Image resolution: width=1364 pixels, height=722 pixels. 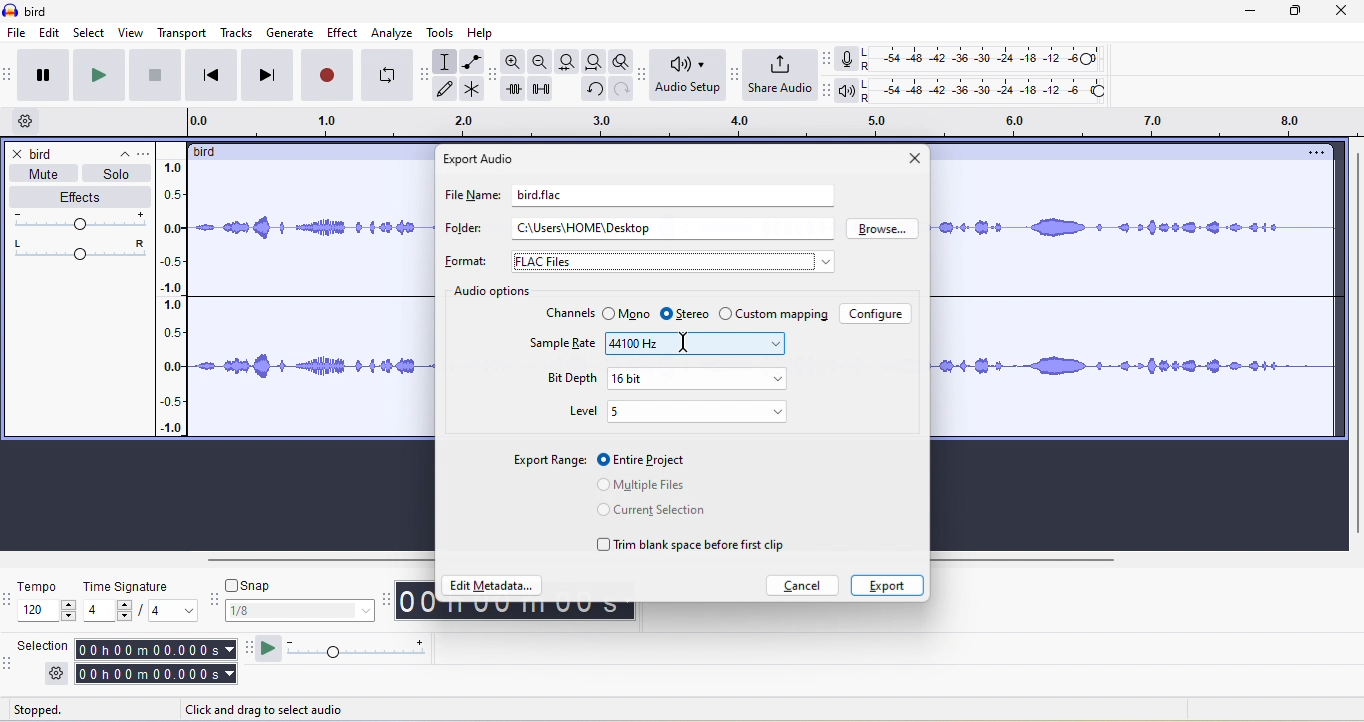 What do you see at coordinates (55, 674) in the screenshot?
I see `selection settings` at bounding box center [55, 674].